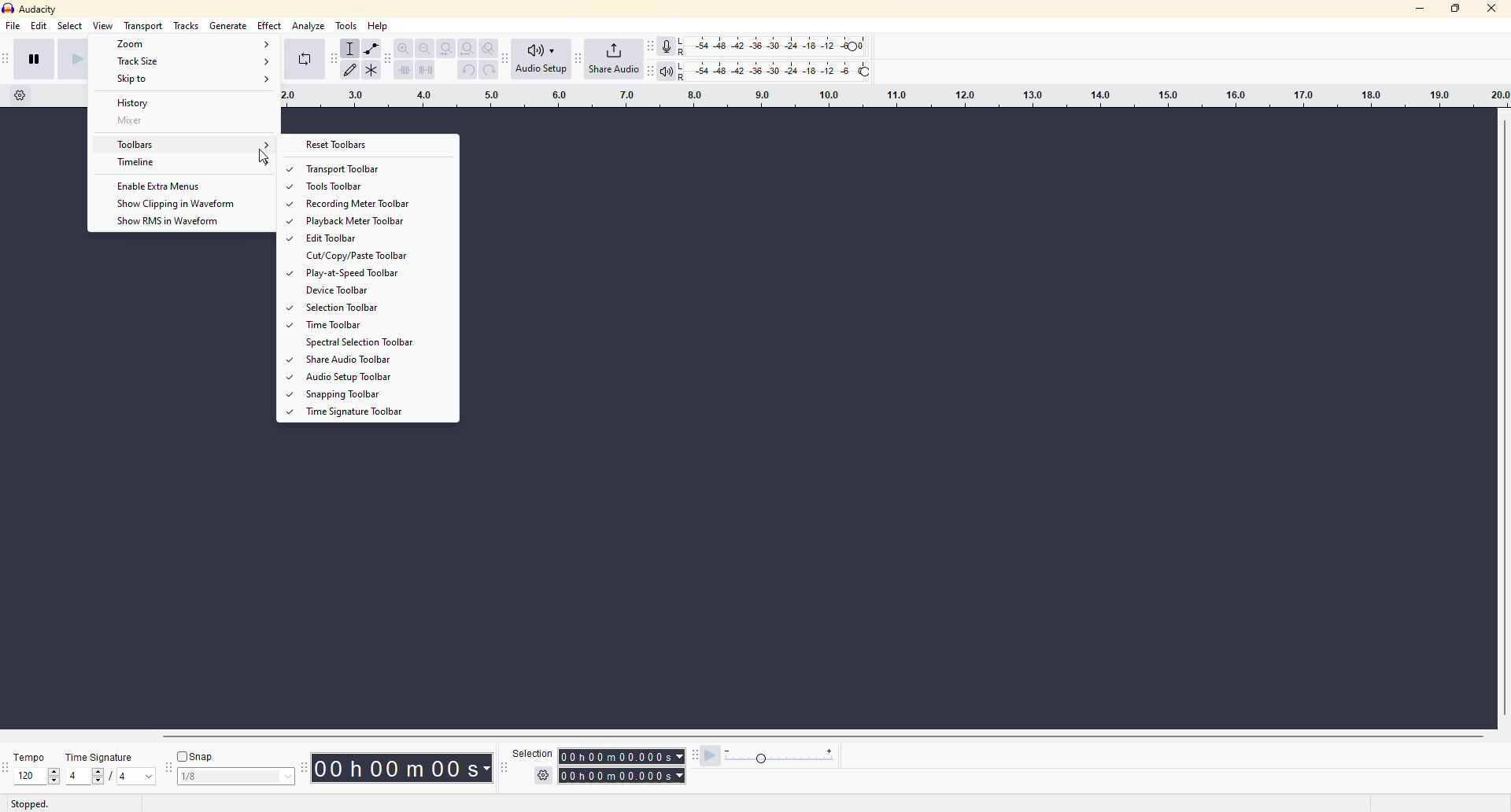 The image size is (1511, 812). Describe the element at coordinates (360, 254) in the screenshot. I see `cut/copy/paste` at that location.